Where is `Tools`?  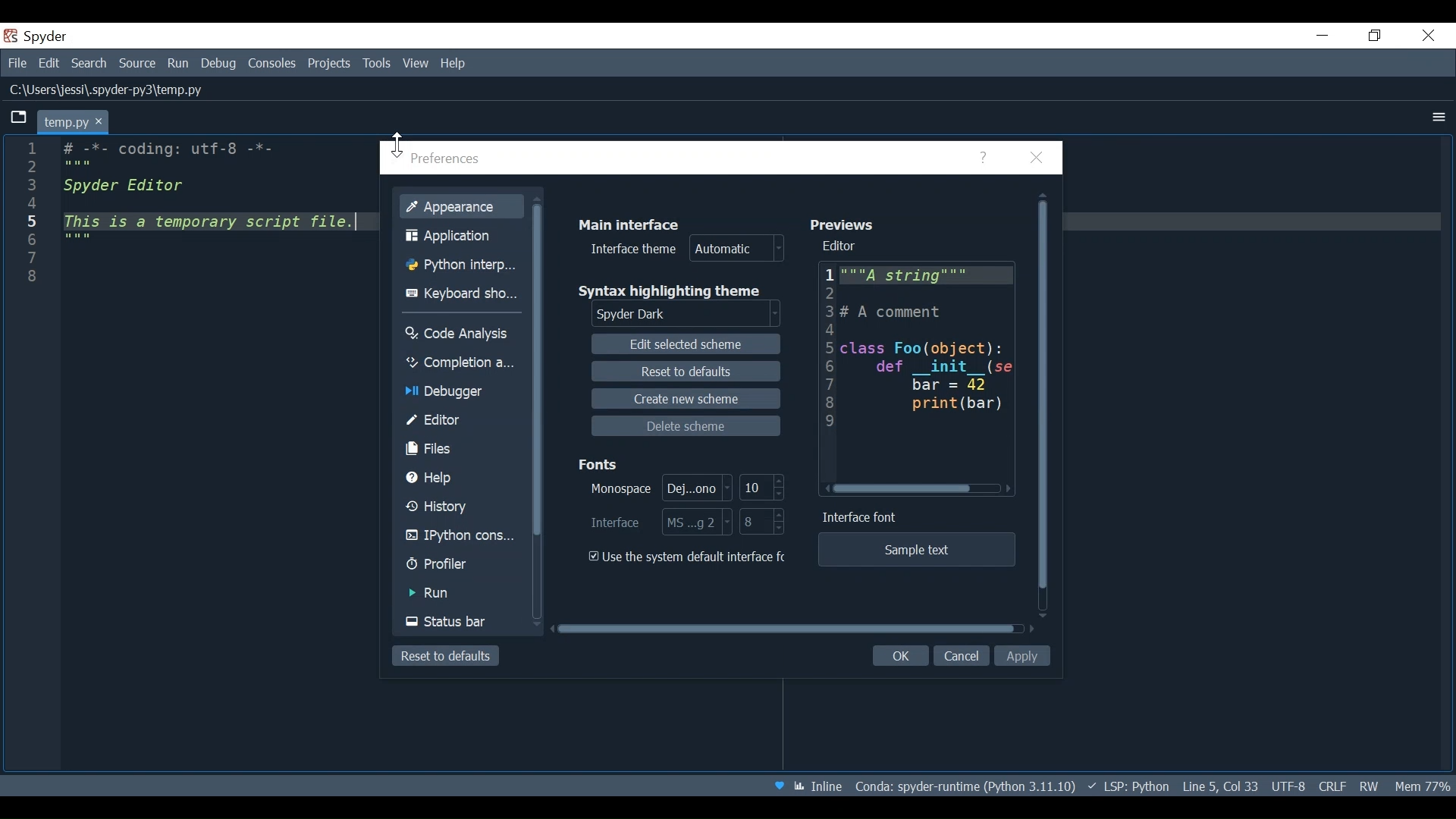 Tools is located at coordinates (375, 63).